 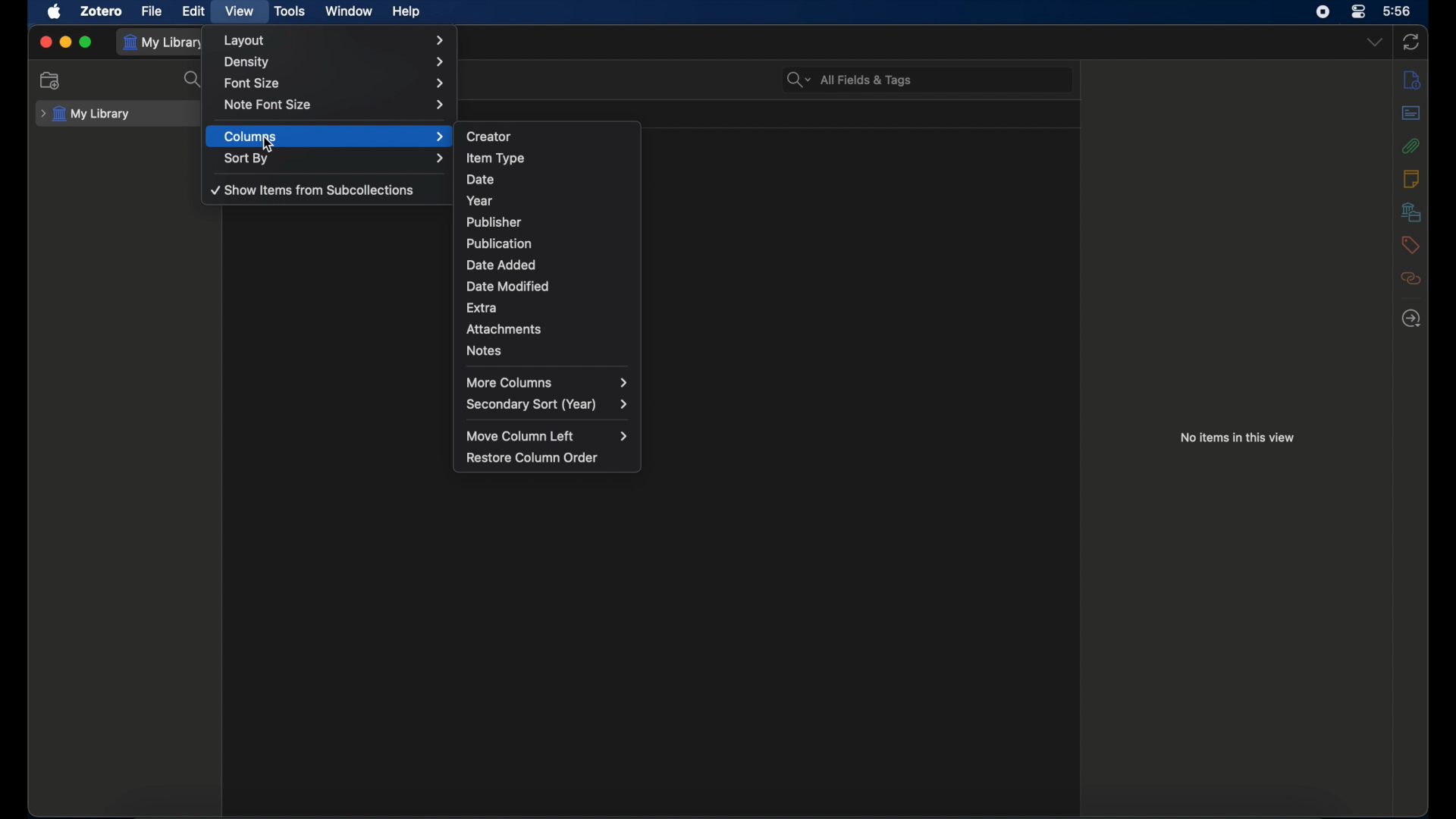 I want to click on font size, so click(x=337, y=83).